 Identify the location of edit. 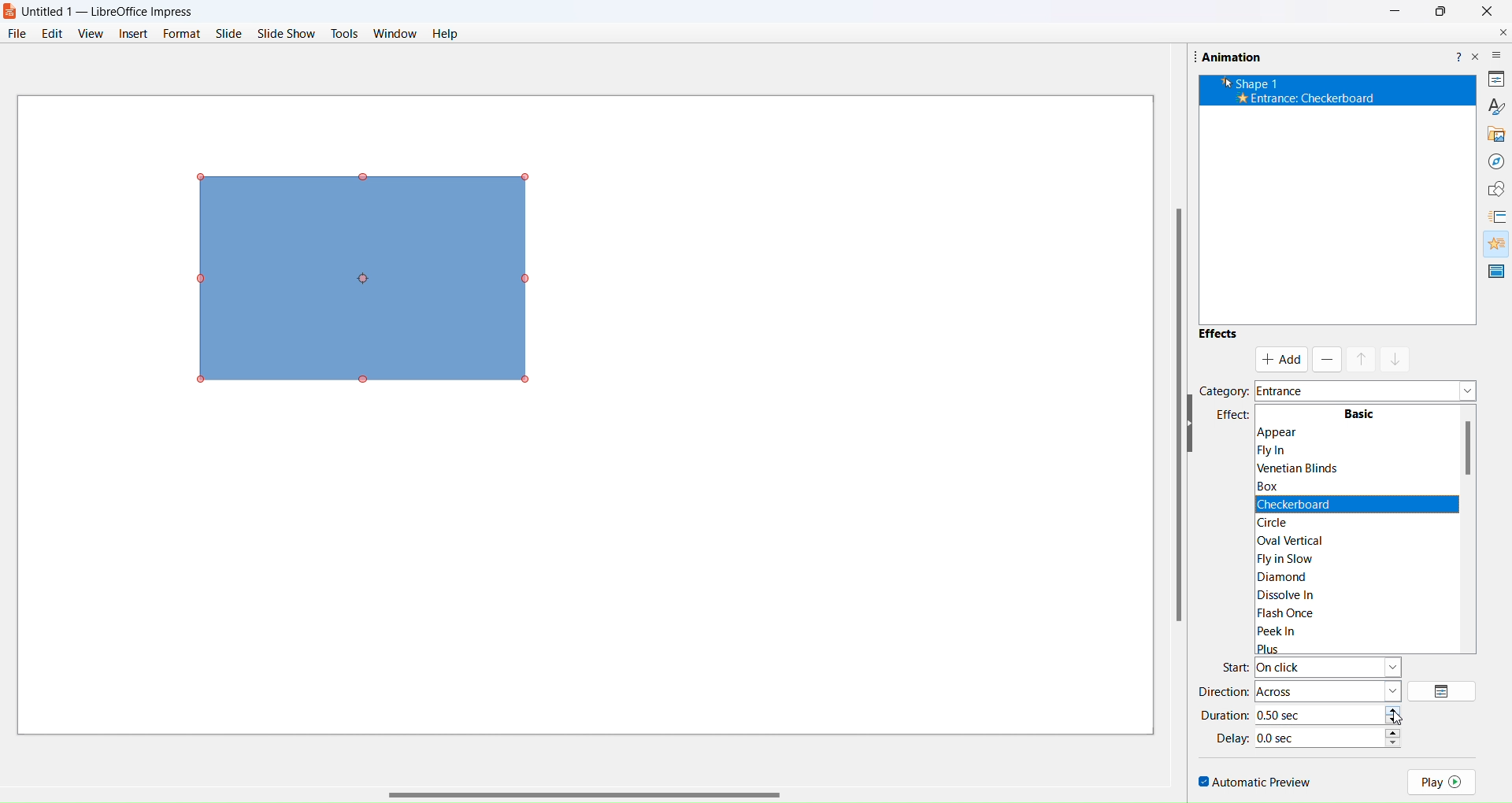
(54, 32).